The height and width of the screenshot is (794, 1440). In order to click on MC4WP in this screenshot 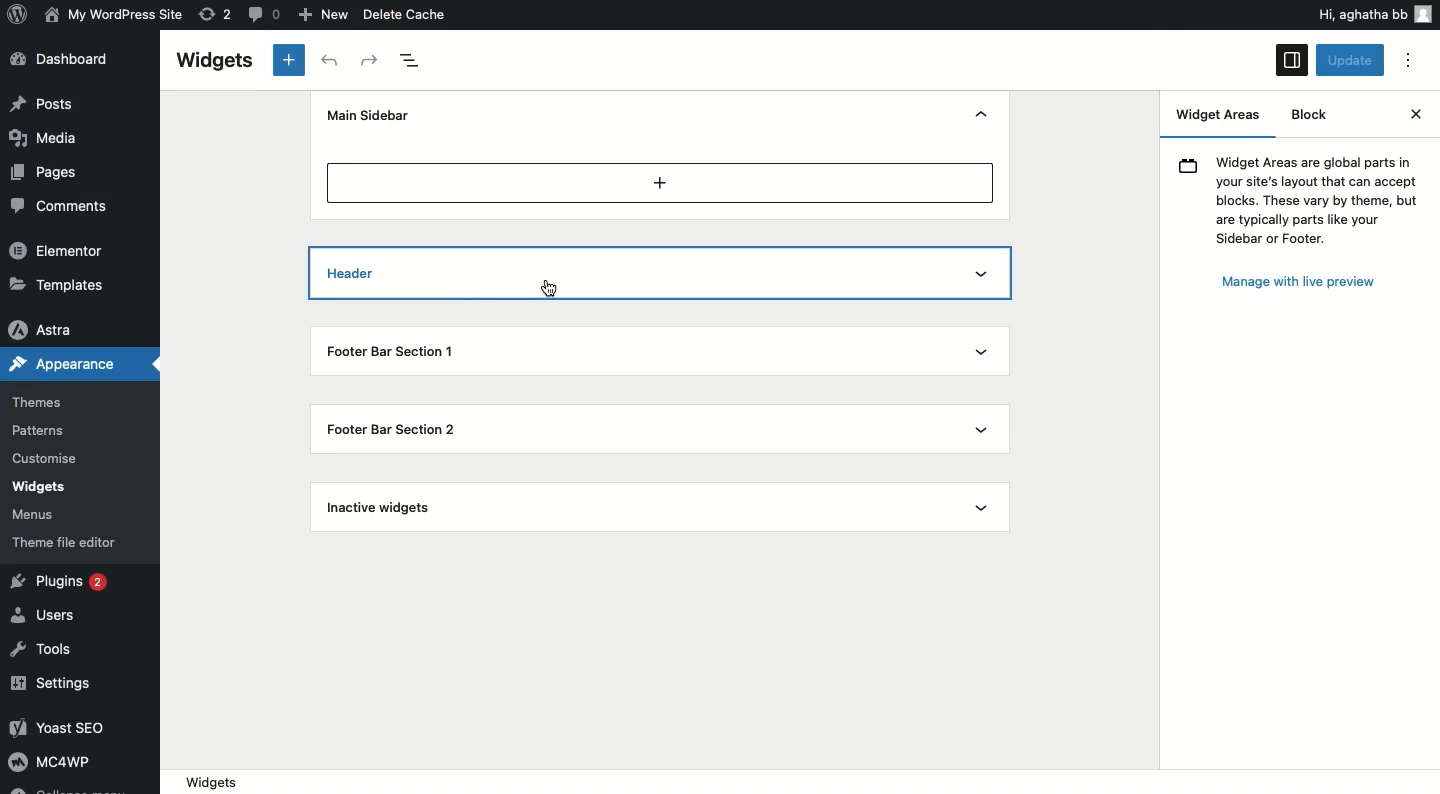, I will do `click(48, 760)`.